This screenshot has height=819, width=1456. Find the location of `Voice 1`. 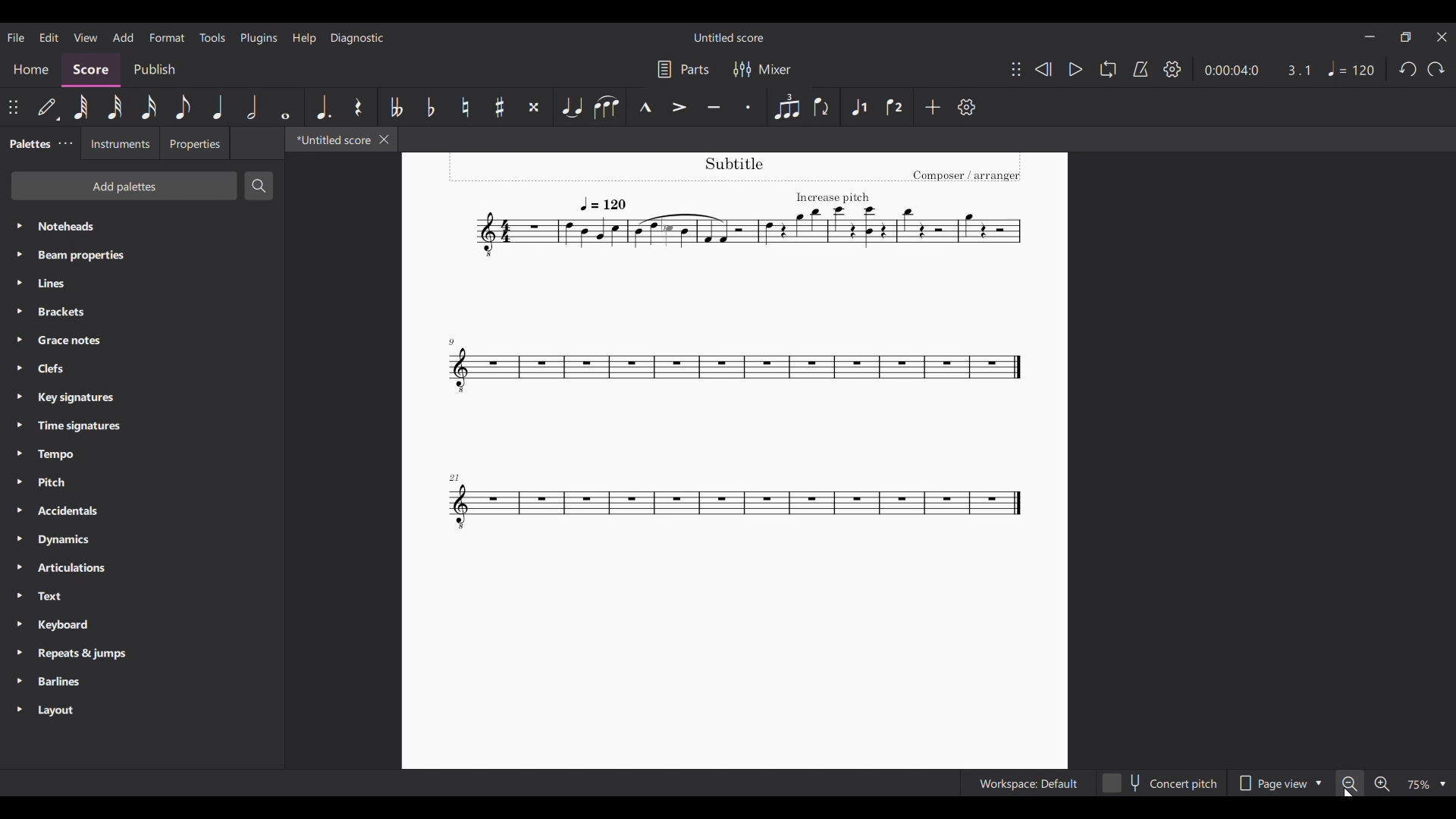

Voice 1 is located at coordinates (858, 106).